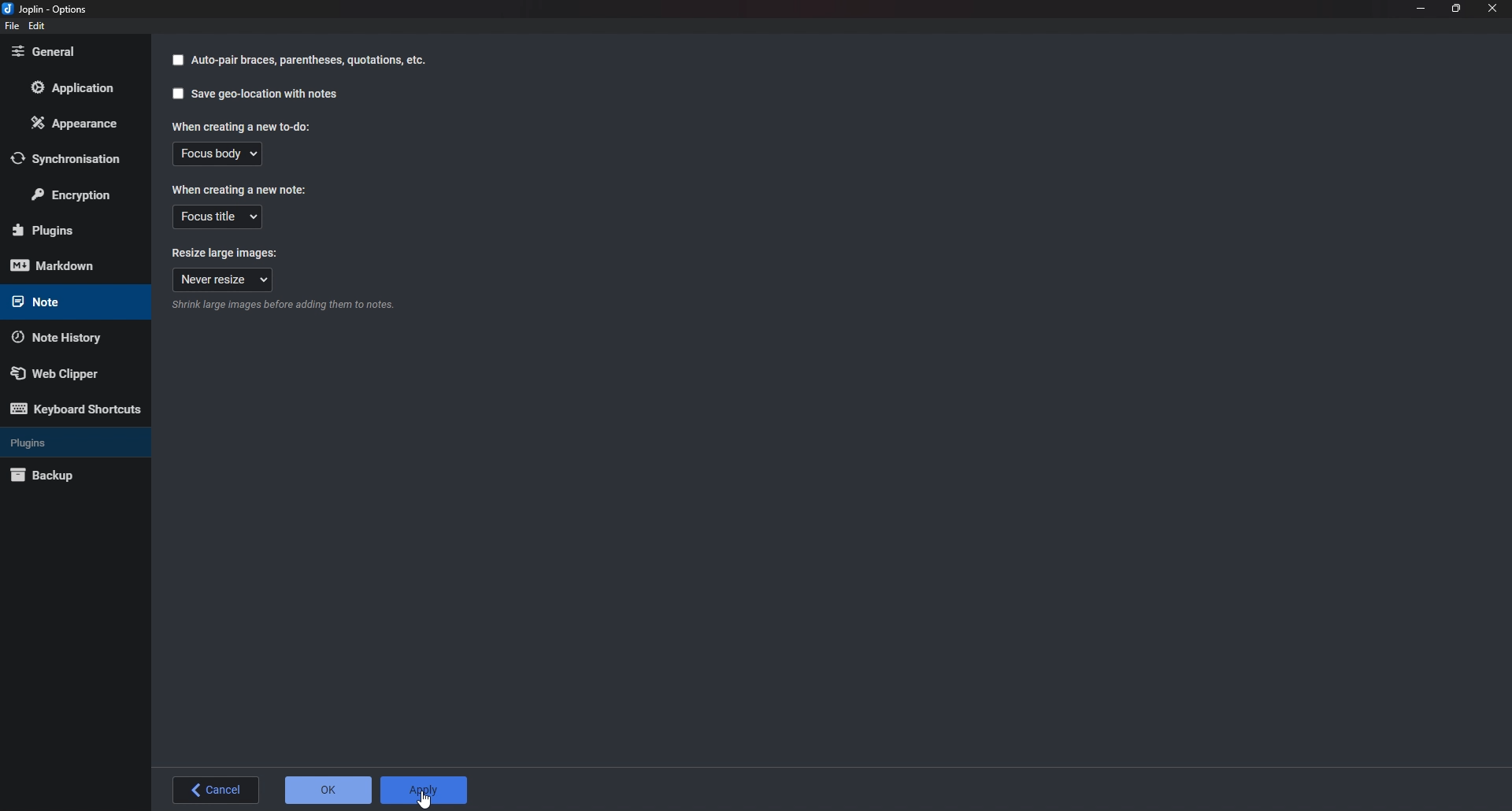  What do you see at coordinates (1421, 7) in the screenshot?
I see `Minimize` at bounding box center [1421, 7].